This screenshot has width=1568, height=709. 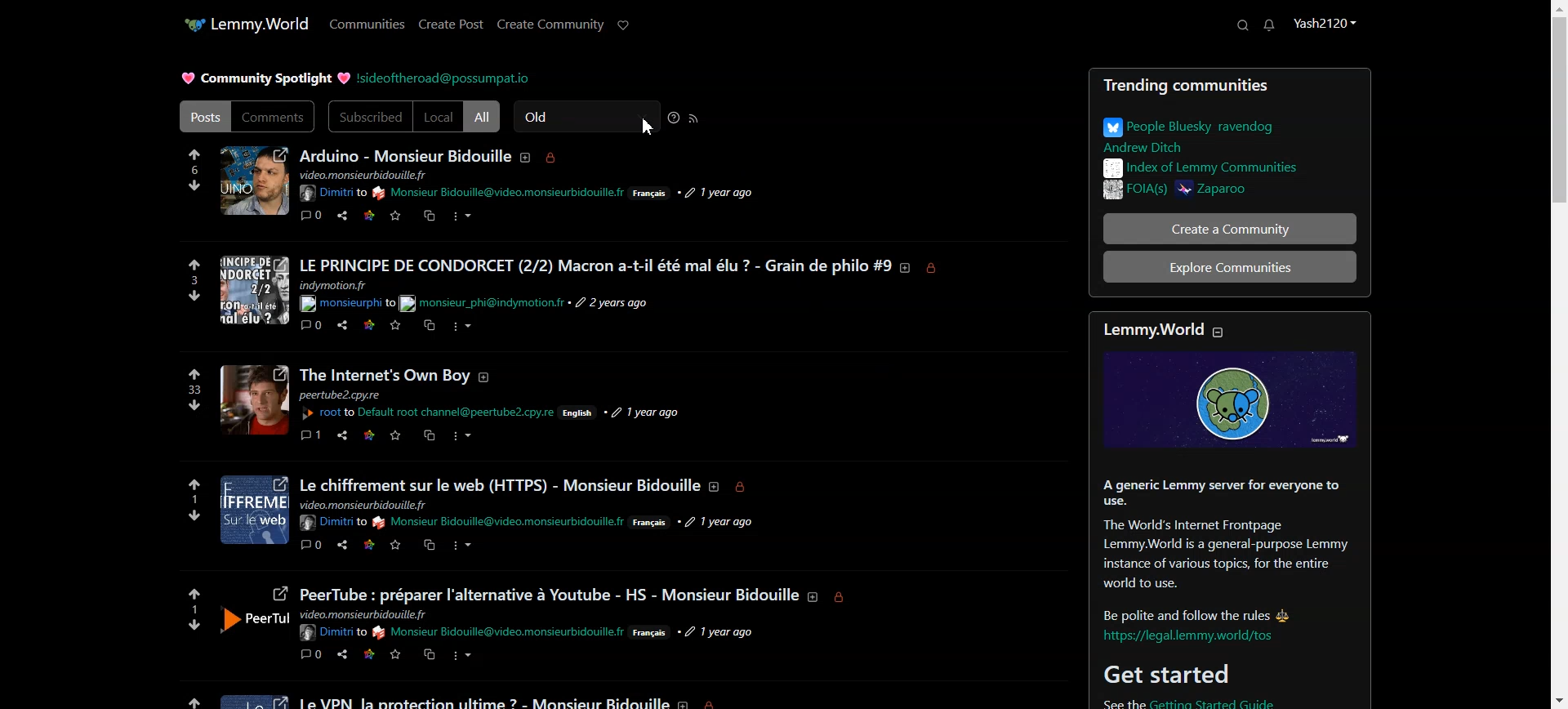 What do you see at coordinates (254, 399) in the screenshot?
I see `` at bounding box center [254, 399].